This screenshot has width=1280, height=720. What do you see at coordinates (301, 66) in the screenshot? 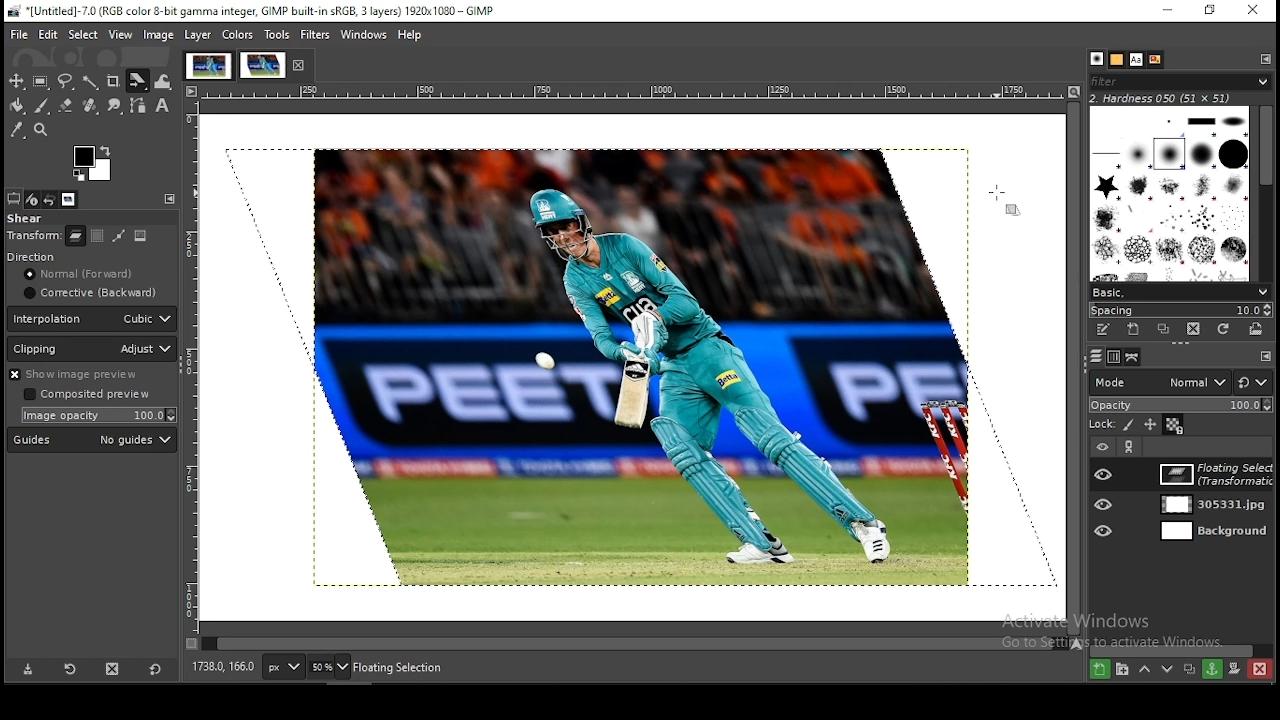
I see `close` at bounding box center [301, 66].